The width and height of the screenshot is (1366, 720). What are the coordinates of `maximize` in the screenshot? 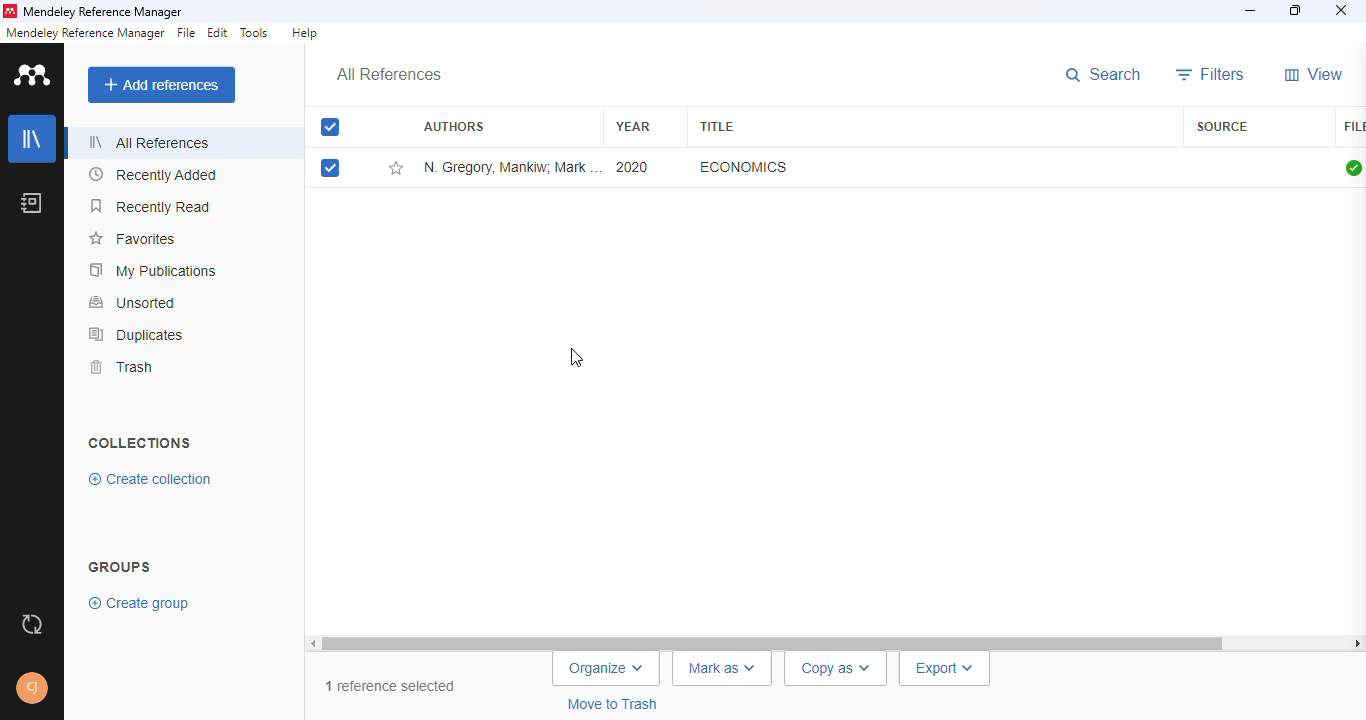 It's located at (1296, 10).